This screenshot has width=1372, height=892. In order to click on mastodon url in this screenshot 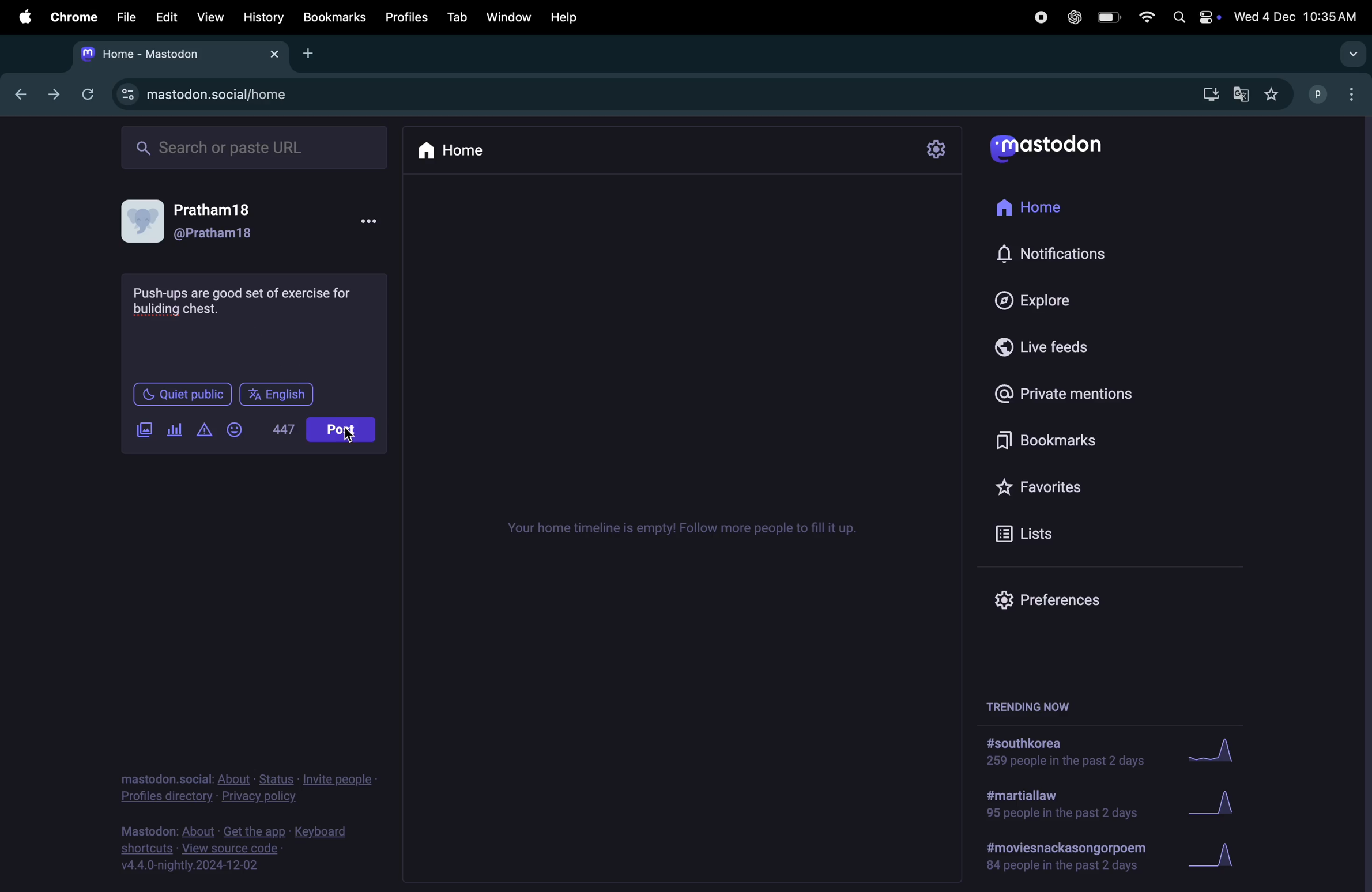, I will do `click(211, 95)`.